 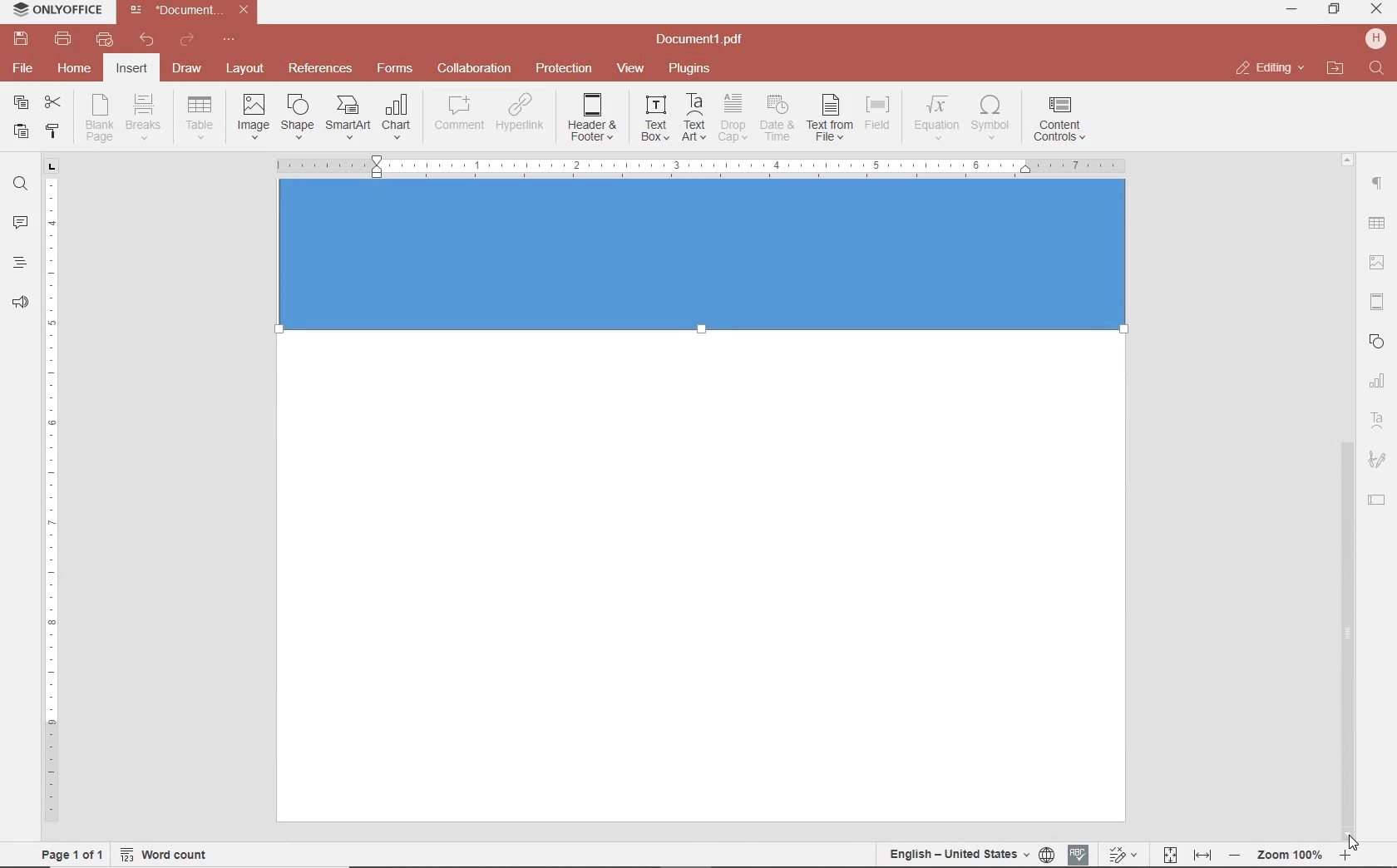 What do you see at coordinates (248, 70) in the screenshot?
I see `layout` at bounding box center [248, 70].